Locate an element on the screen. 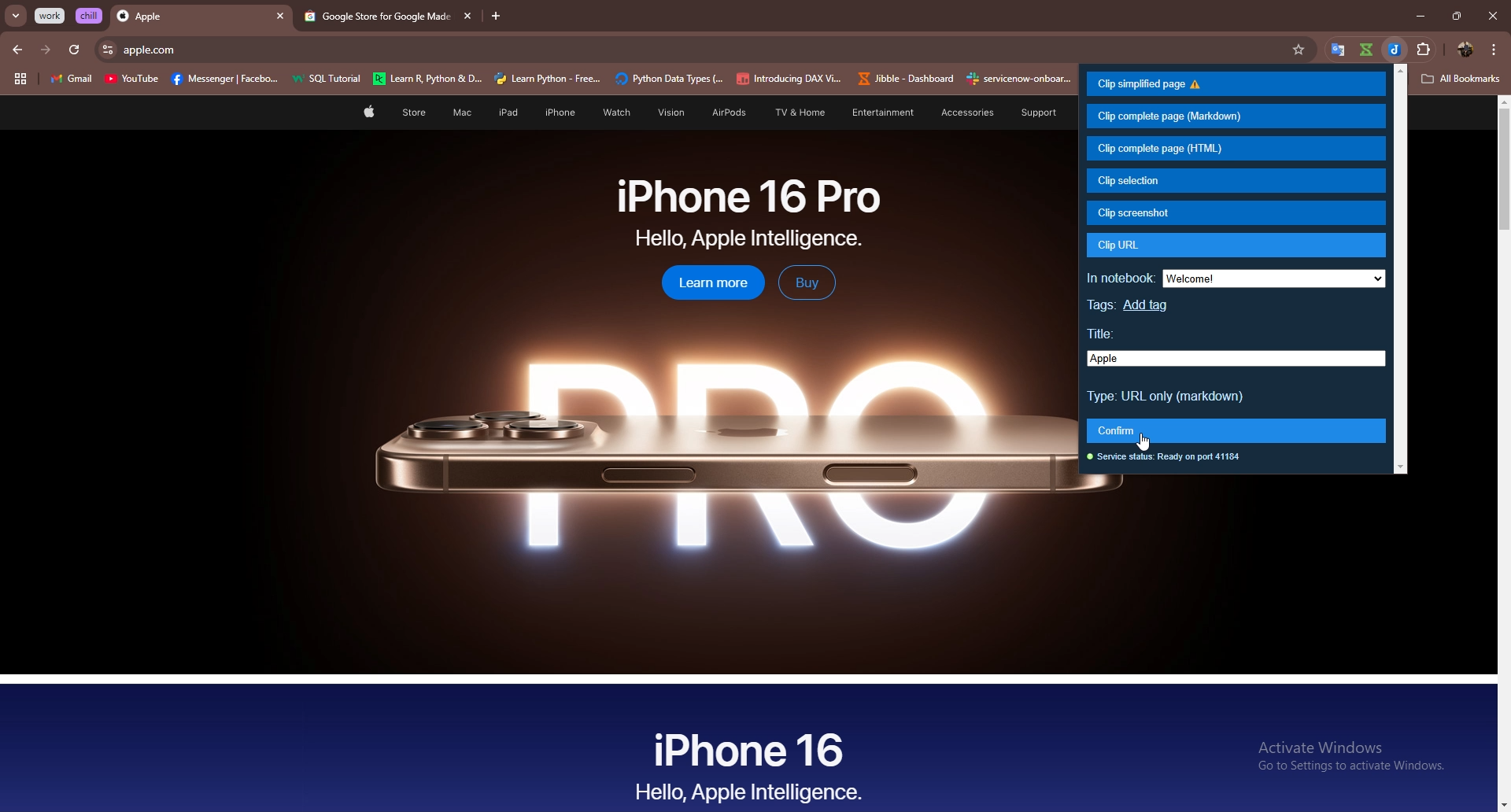 The height and width of the screenshot is (812, 1511). service status: Ready on port 41184 is located at coordinates (1167, 456).